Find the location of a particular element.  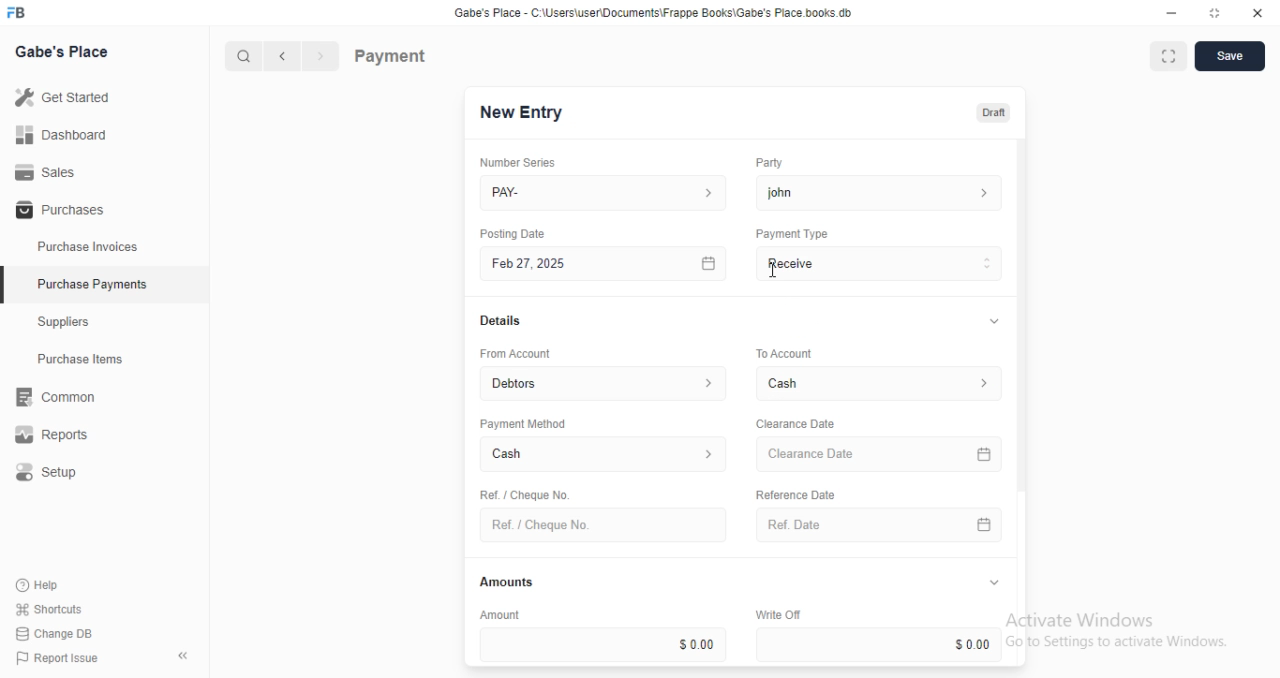

Purchase Invoices is located at coordinates (88, 247).